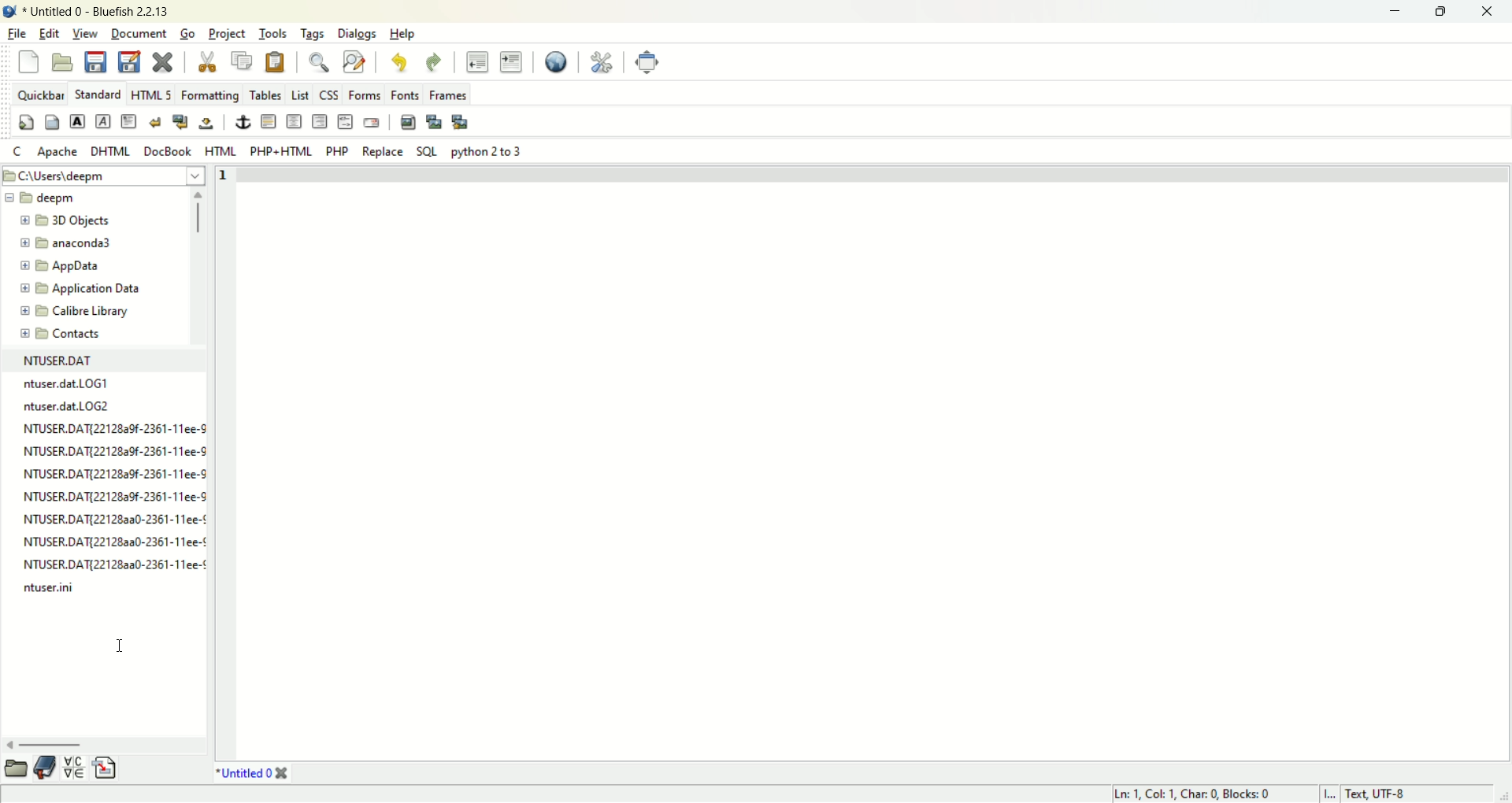 The image size is (1512, 803). Describe the element at coordinates (53, 589) in the screenshot. I see `ntuser.ini` at that location.